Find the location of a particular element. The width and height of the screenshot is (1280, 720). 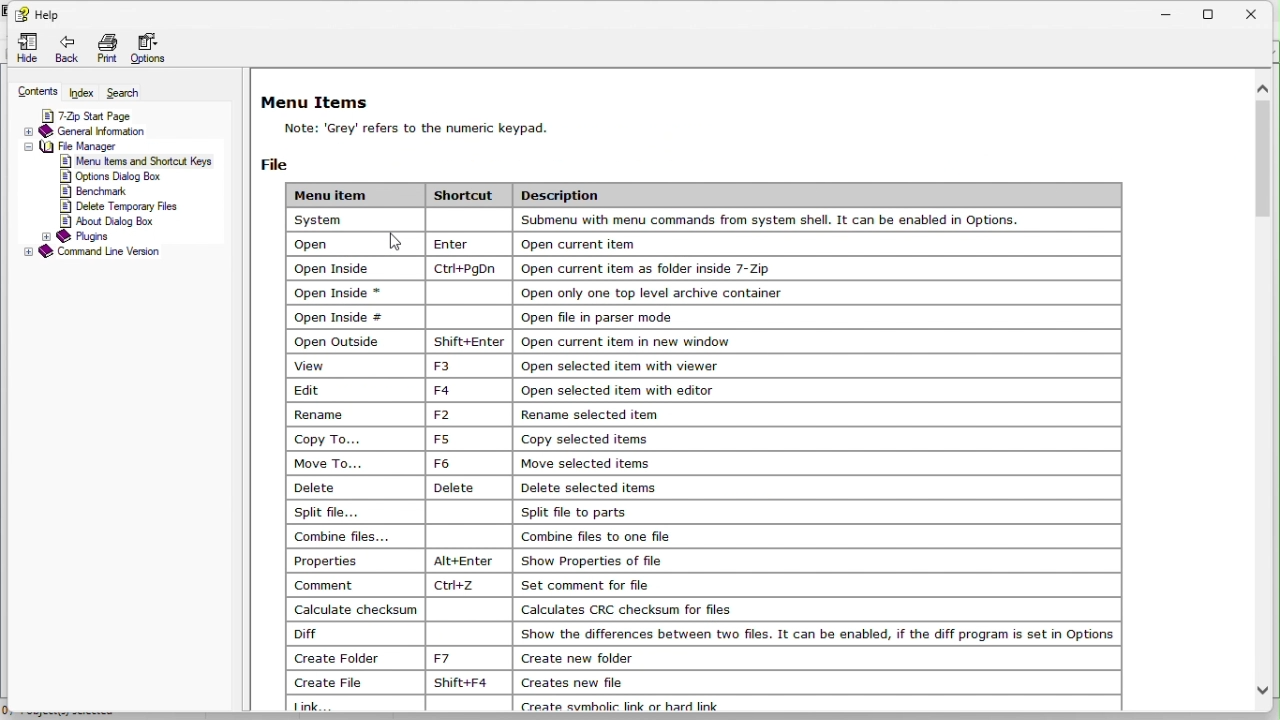

Split file | | Split file to parts is located at coordinates (471, 512).